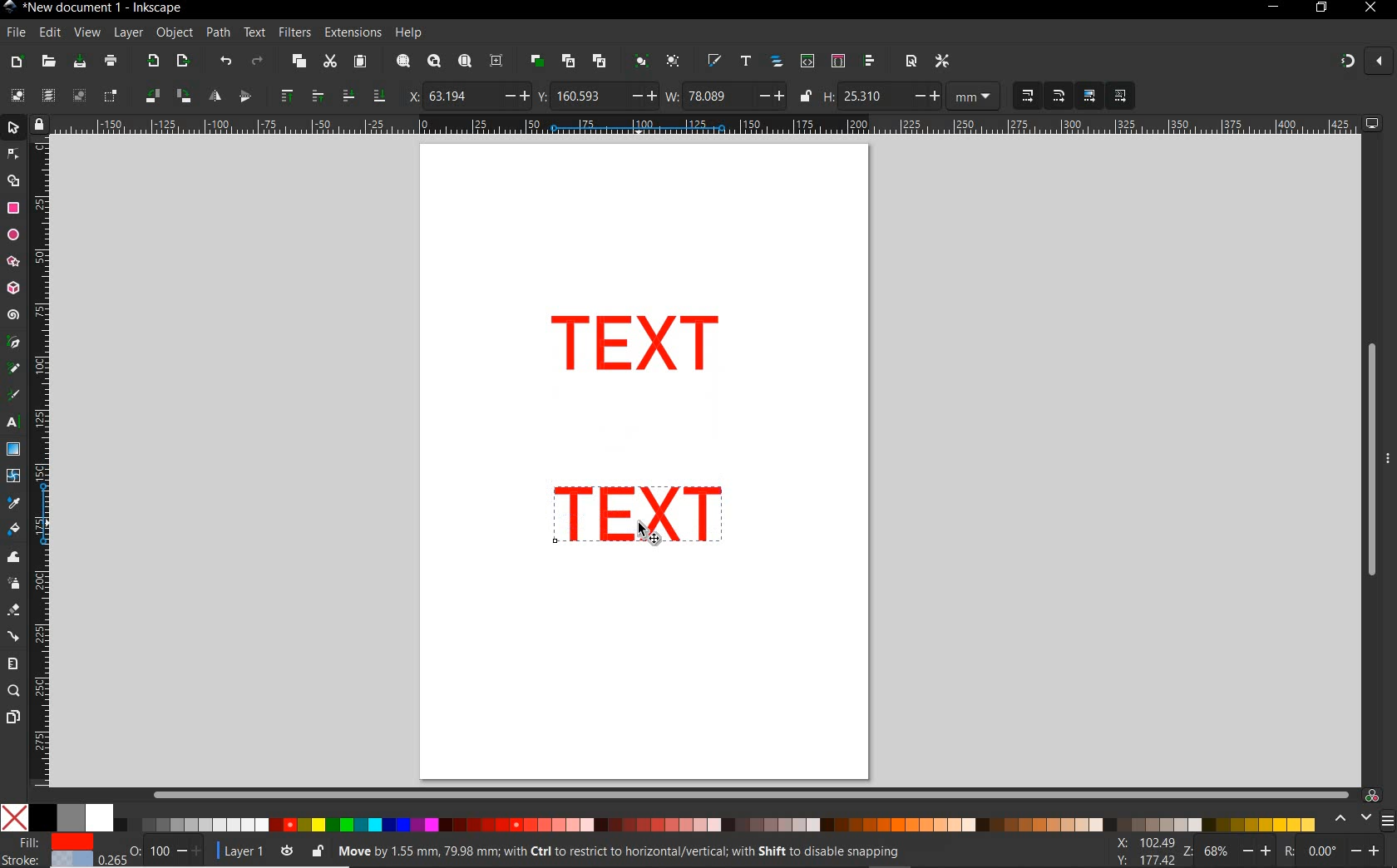 The image size is (1397, 868). What do you see at coordinates (287, 848) in the screenshot?
I see `toggle current layer visibility` at bounding box center [287, 848].